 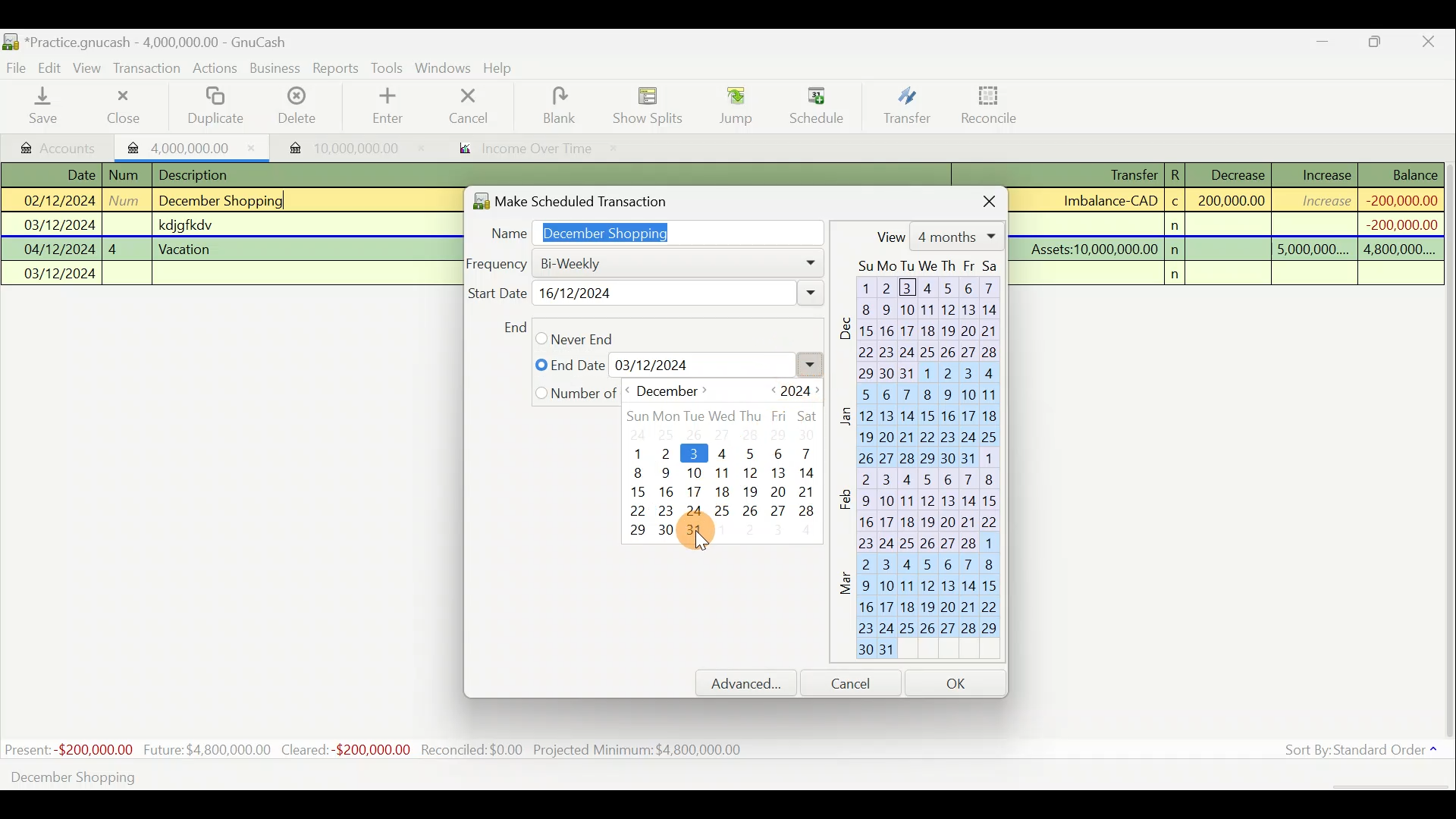 What do you see at coordinates (215, 71) in the screenshot?
I see `Actions` at bounding box center [215, 71].